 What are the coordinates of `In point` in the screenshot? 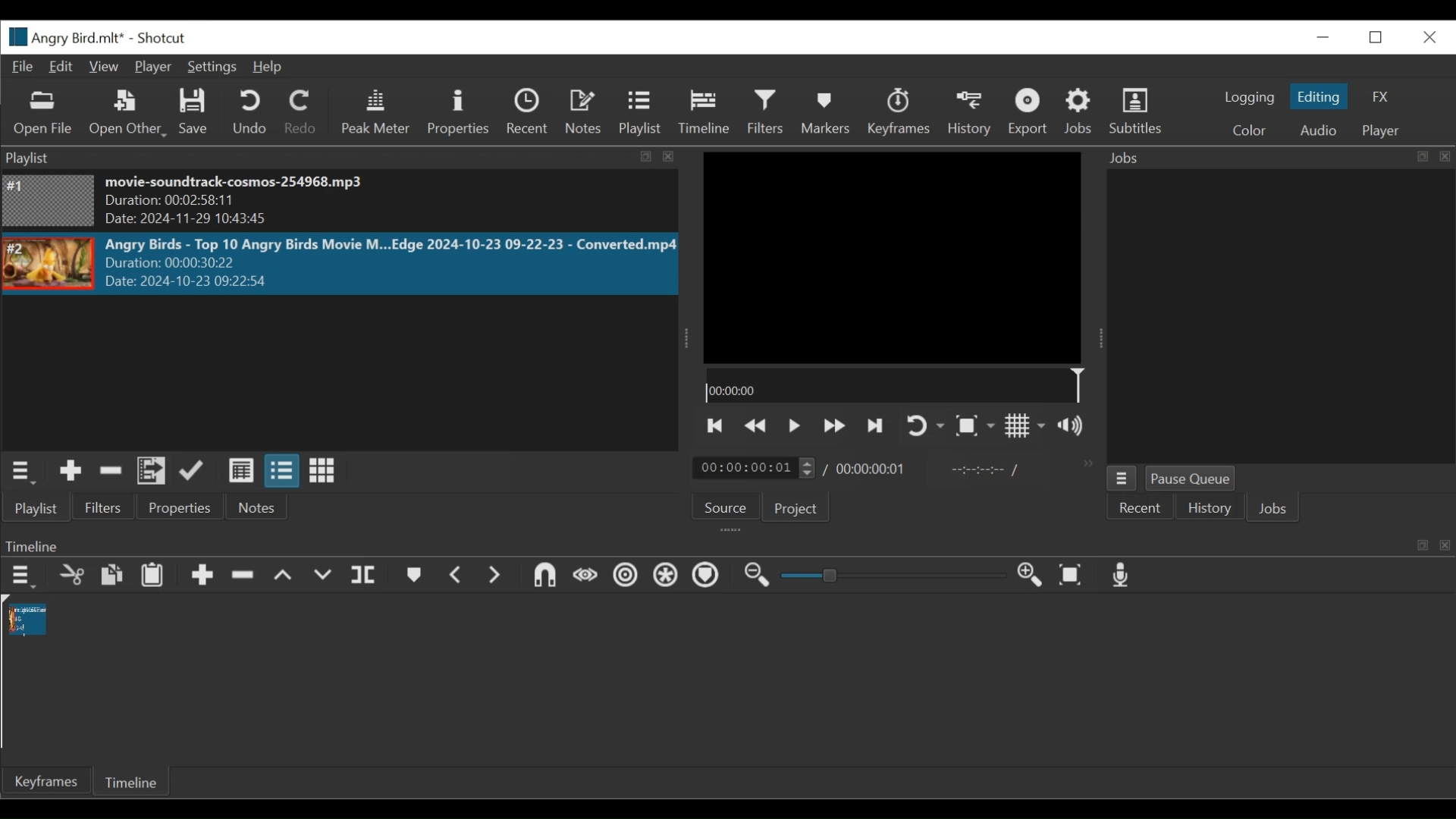 It's located at (981, 469).